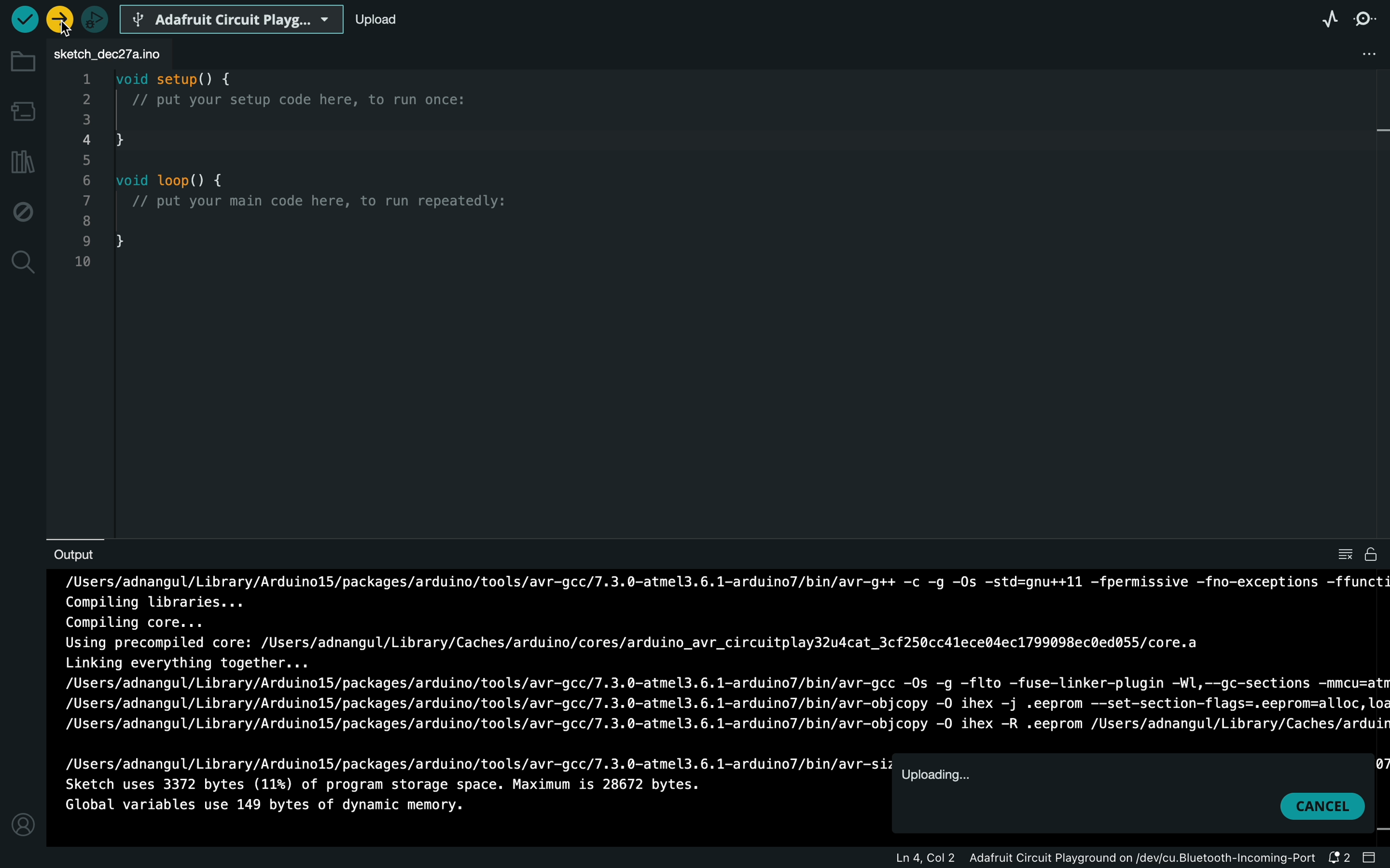 This screenshot has width=1390, height=868. Describe the element at coordinates (1319, 803) in the screenshot. I see `cancel` at that location.